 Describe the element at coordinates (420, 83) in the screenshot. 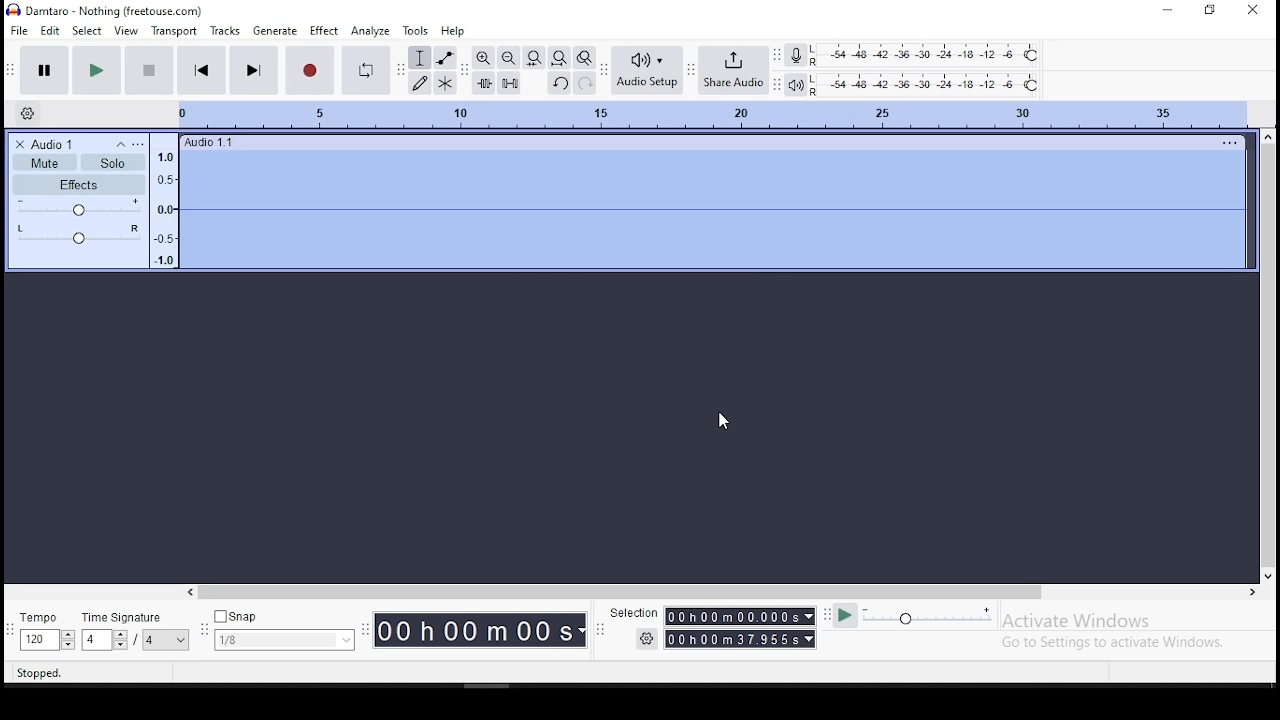

I see `draw tool` at that location.